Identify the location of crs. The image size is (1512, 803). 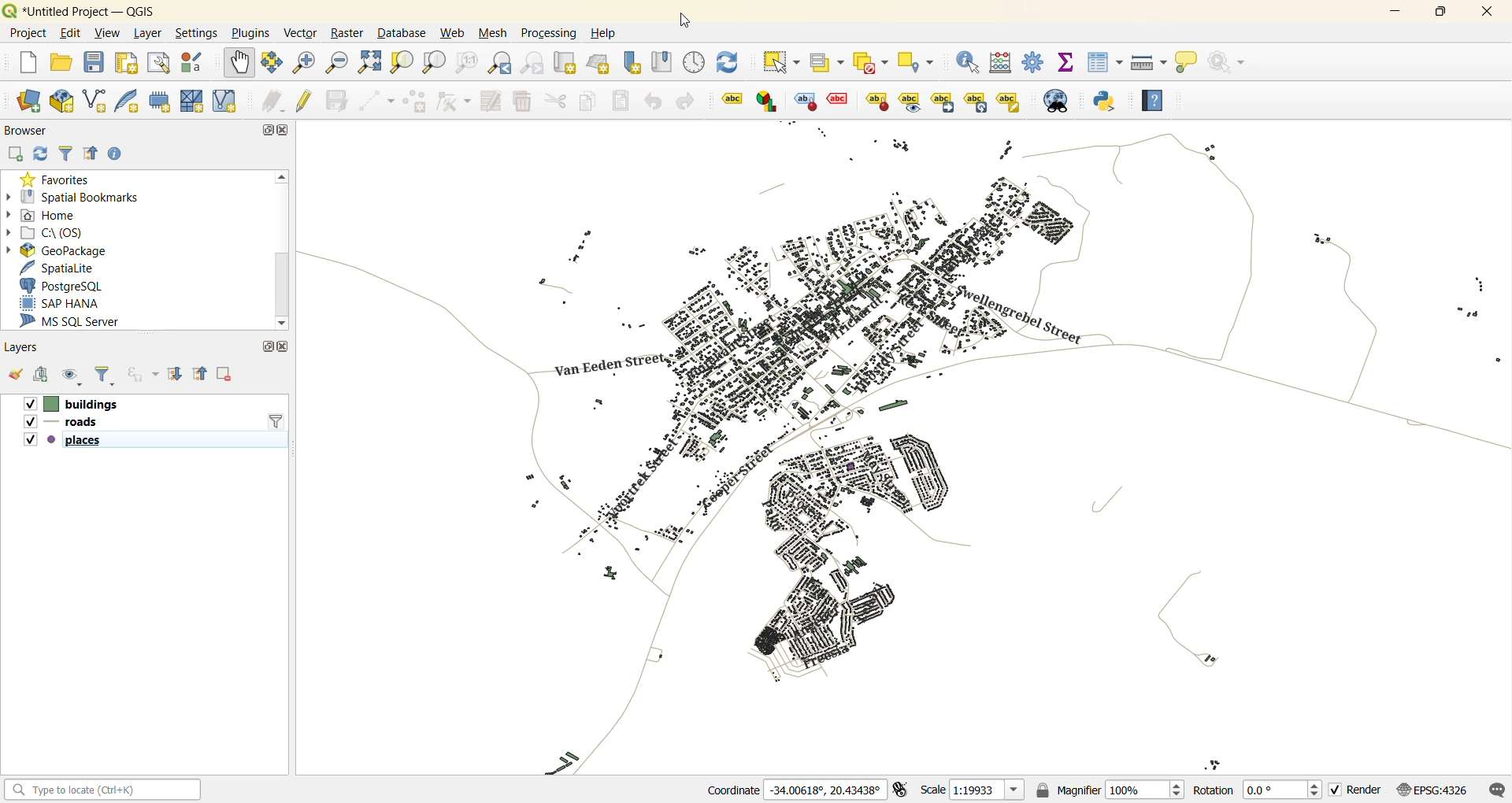
(1436, 790).